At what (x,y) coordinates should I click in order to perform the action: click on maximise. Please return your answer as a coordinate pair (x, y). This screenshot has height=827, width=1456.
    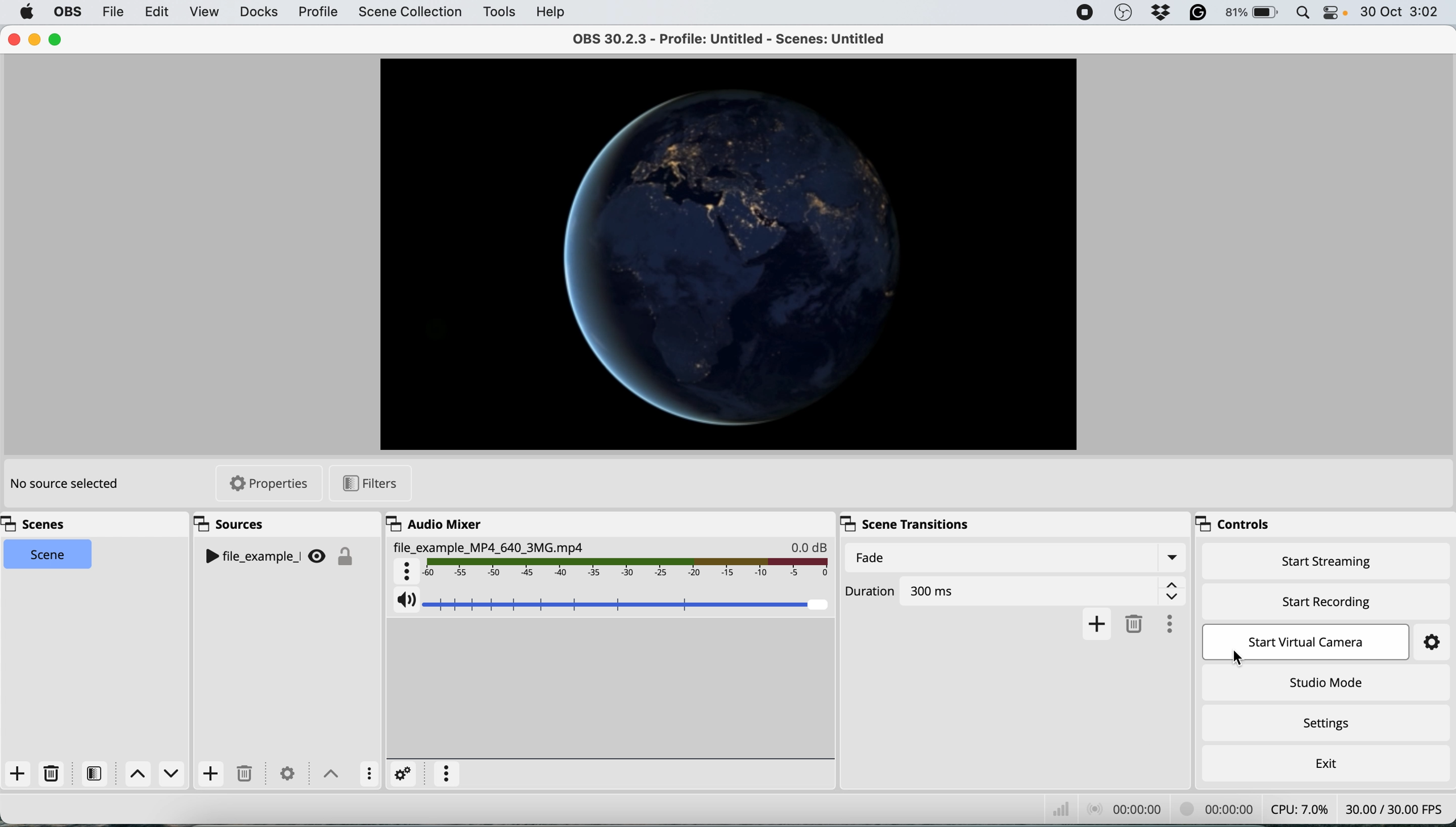
    Looking at the image, I should click on (57, 40).